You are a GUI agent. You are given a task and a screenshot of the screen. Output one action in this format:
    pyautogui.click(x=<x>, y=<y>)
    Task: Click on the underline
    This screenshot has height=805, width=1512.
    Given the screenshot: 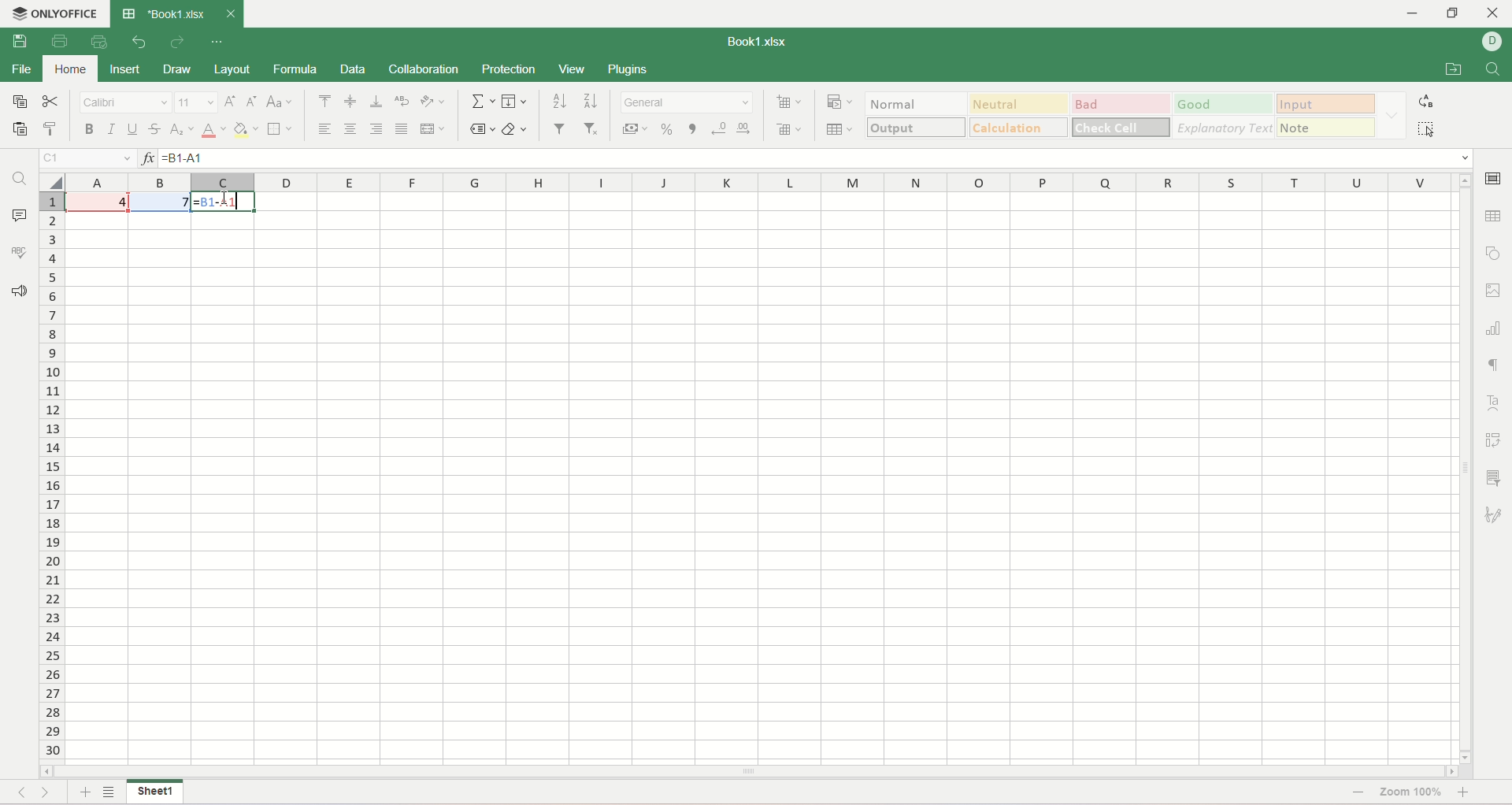 What is the action you would take?
    pyautogui.click(x=132, y=129)
    